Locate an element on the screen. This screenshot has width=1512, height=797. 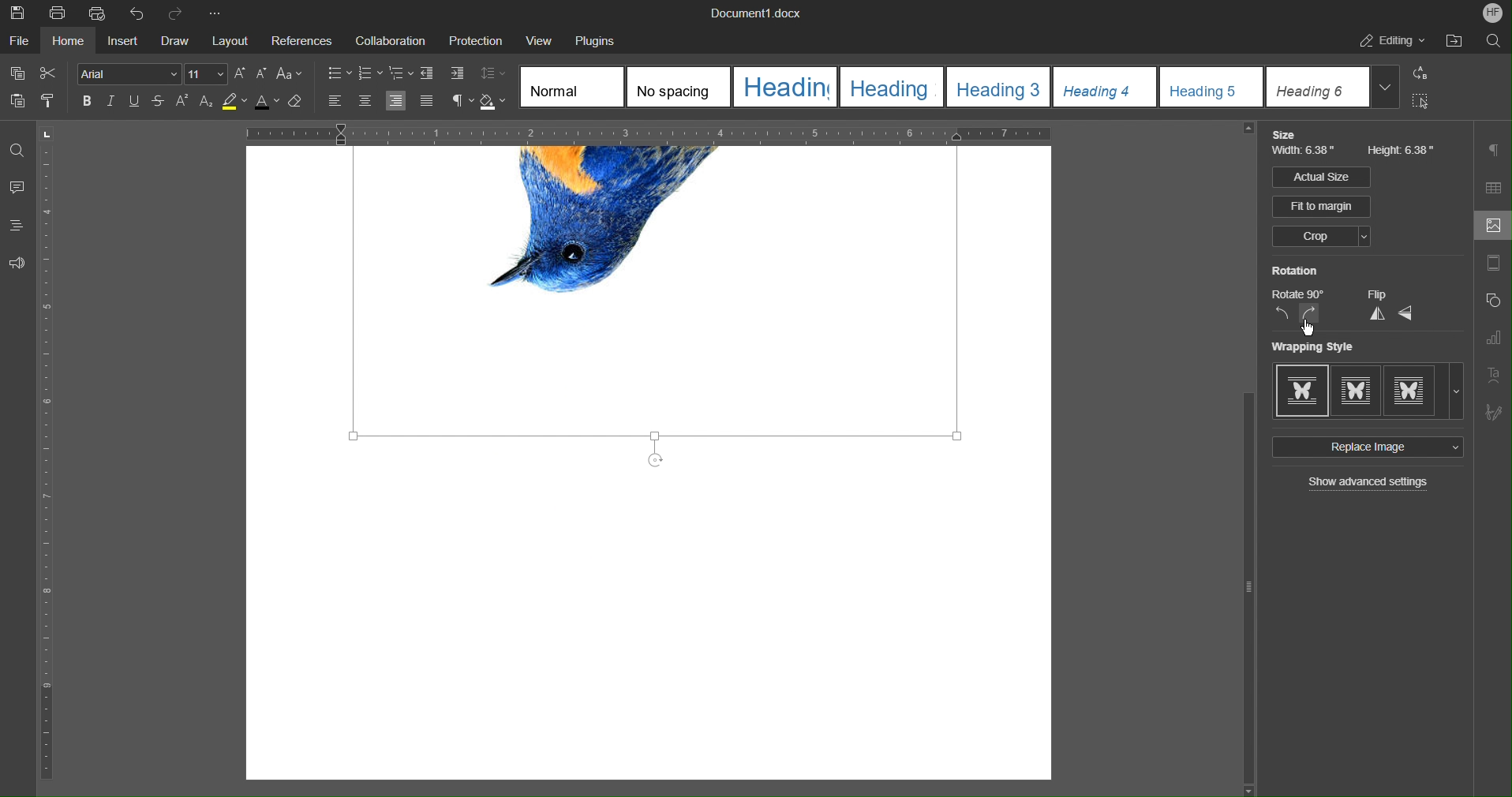
Flip is located at coordinates (1377, 296).